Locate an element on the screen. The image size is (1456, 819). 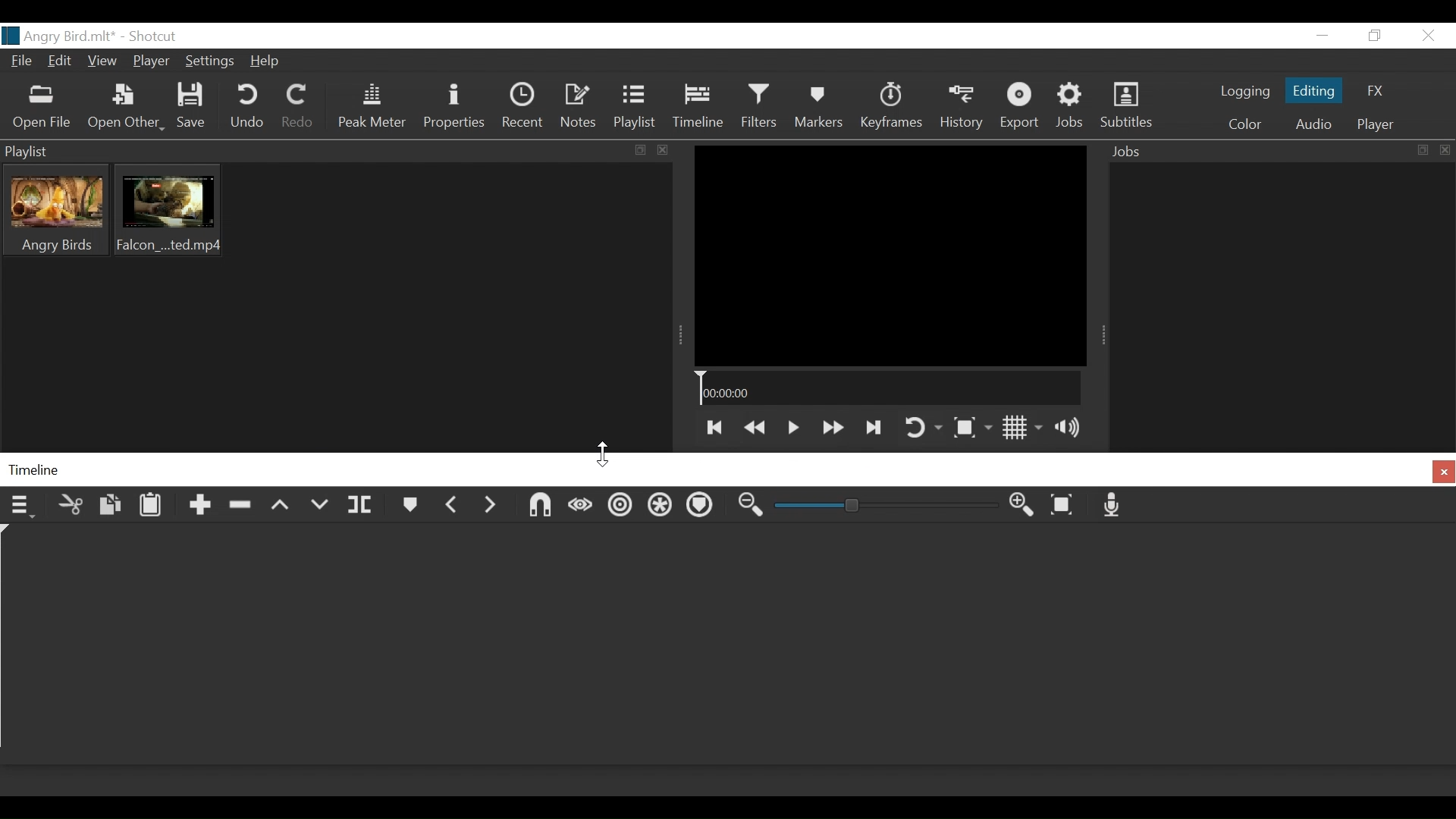
Markers is located at coordinates (821, 107).